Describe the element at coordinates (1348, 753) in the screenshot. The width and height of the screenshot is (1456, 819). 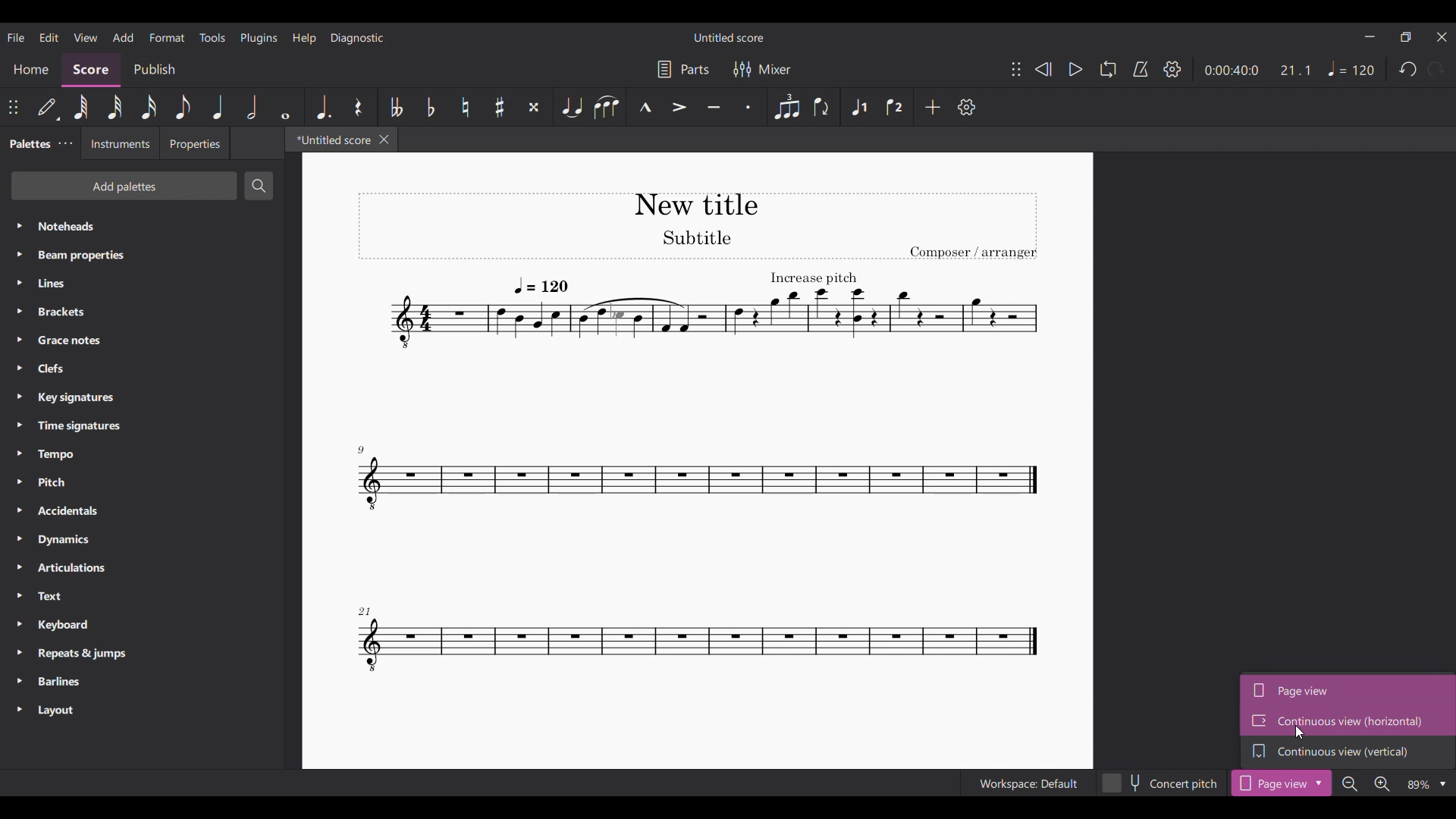
I see `Continuous view (vertical)` at that location.